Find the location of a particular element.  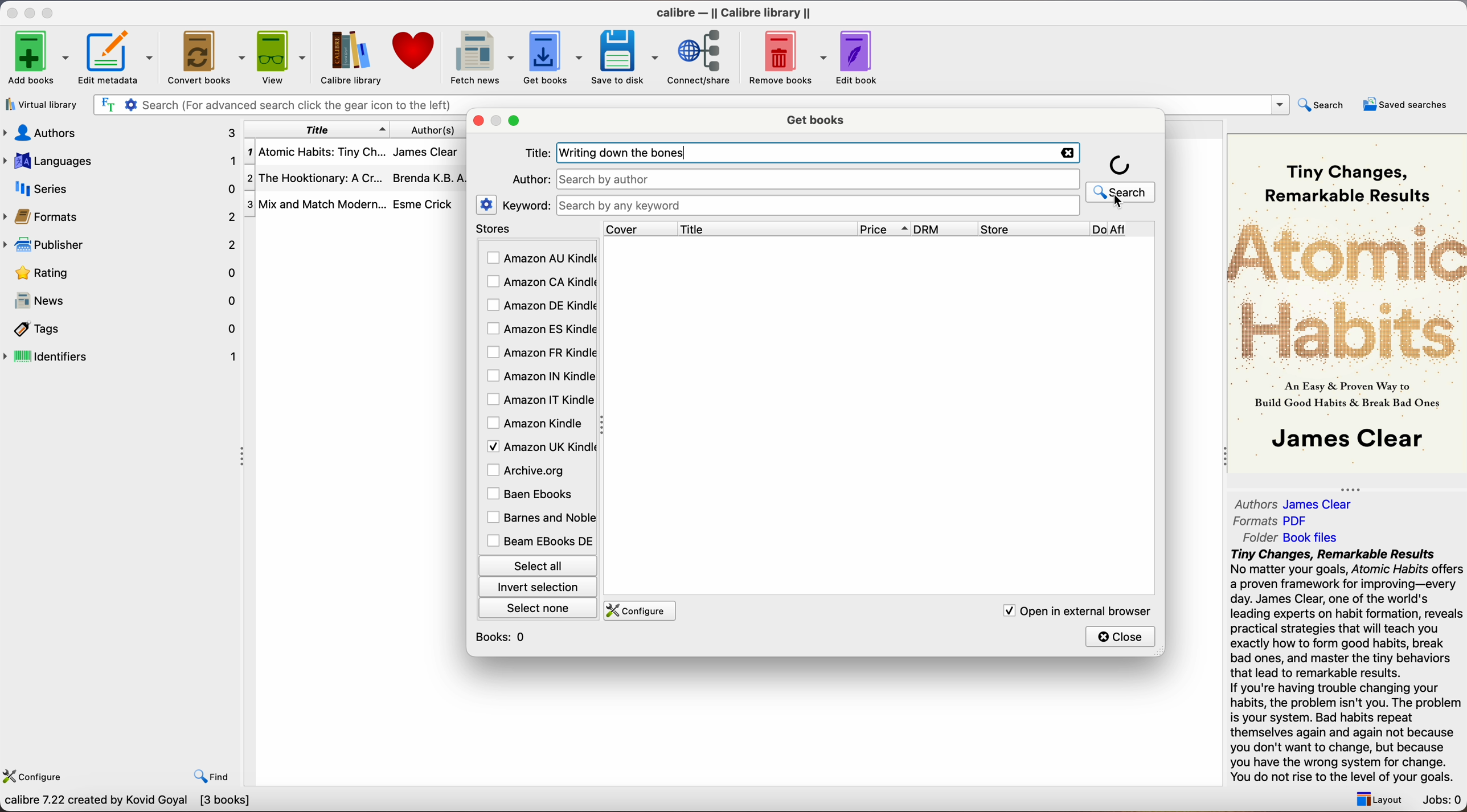

publisher is located at coordinates (123, 244).